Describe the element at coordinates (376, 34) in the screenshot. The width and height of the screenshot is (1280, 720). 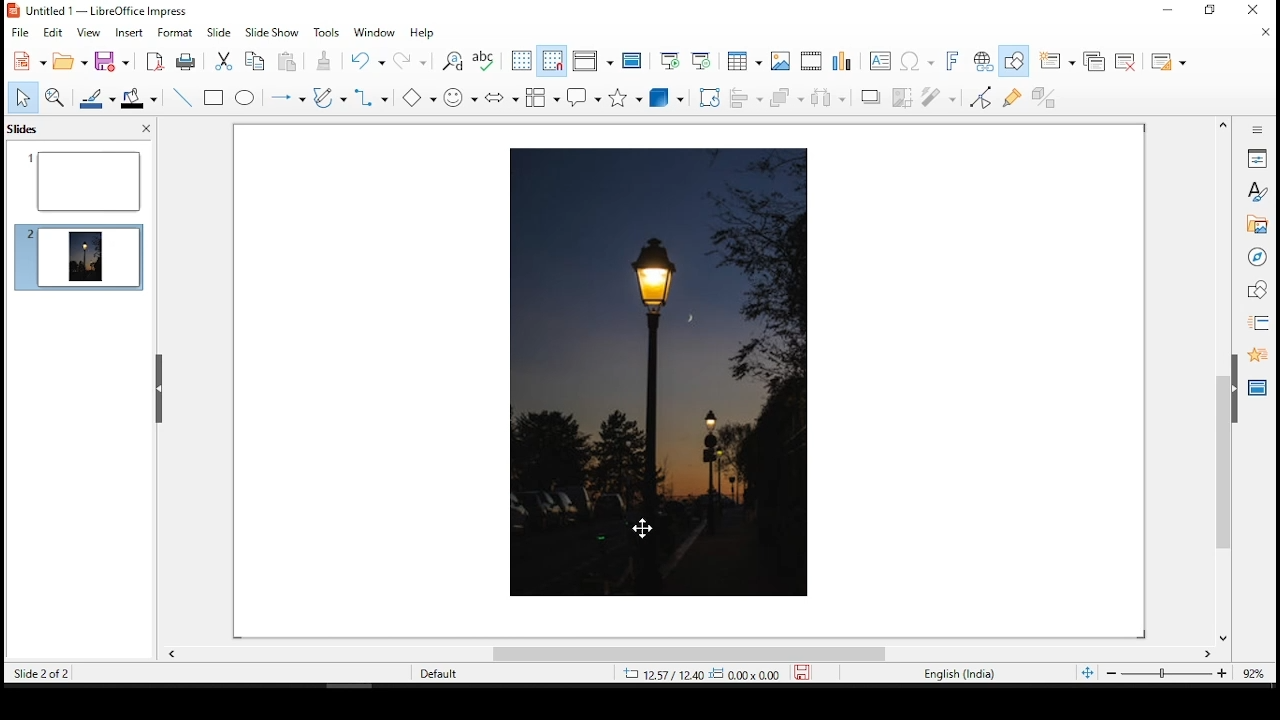
I see `window` at that location.